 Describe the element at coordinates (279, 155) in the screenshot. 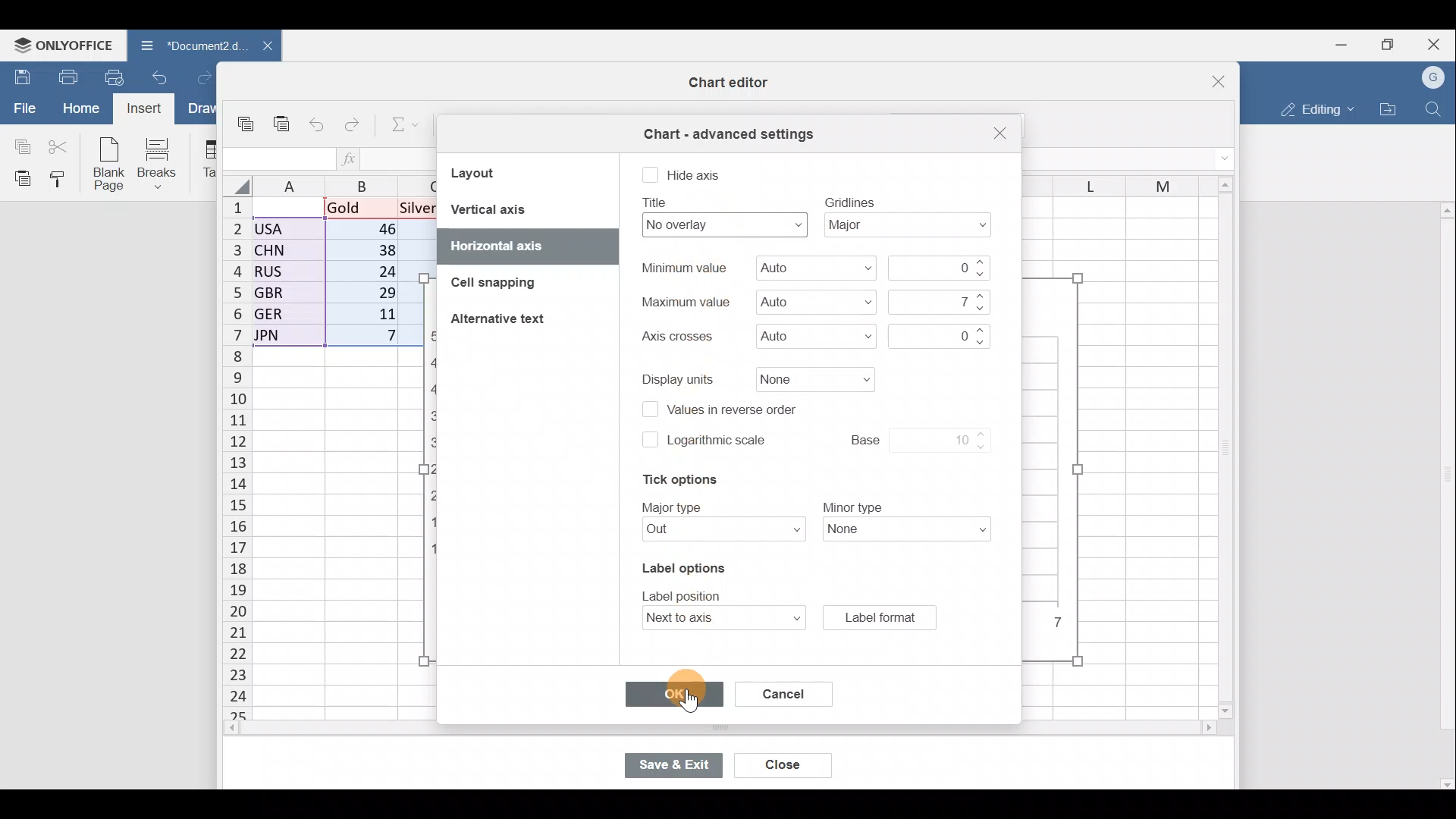

I see `Cell name` at that location.